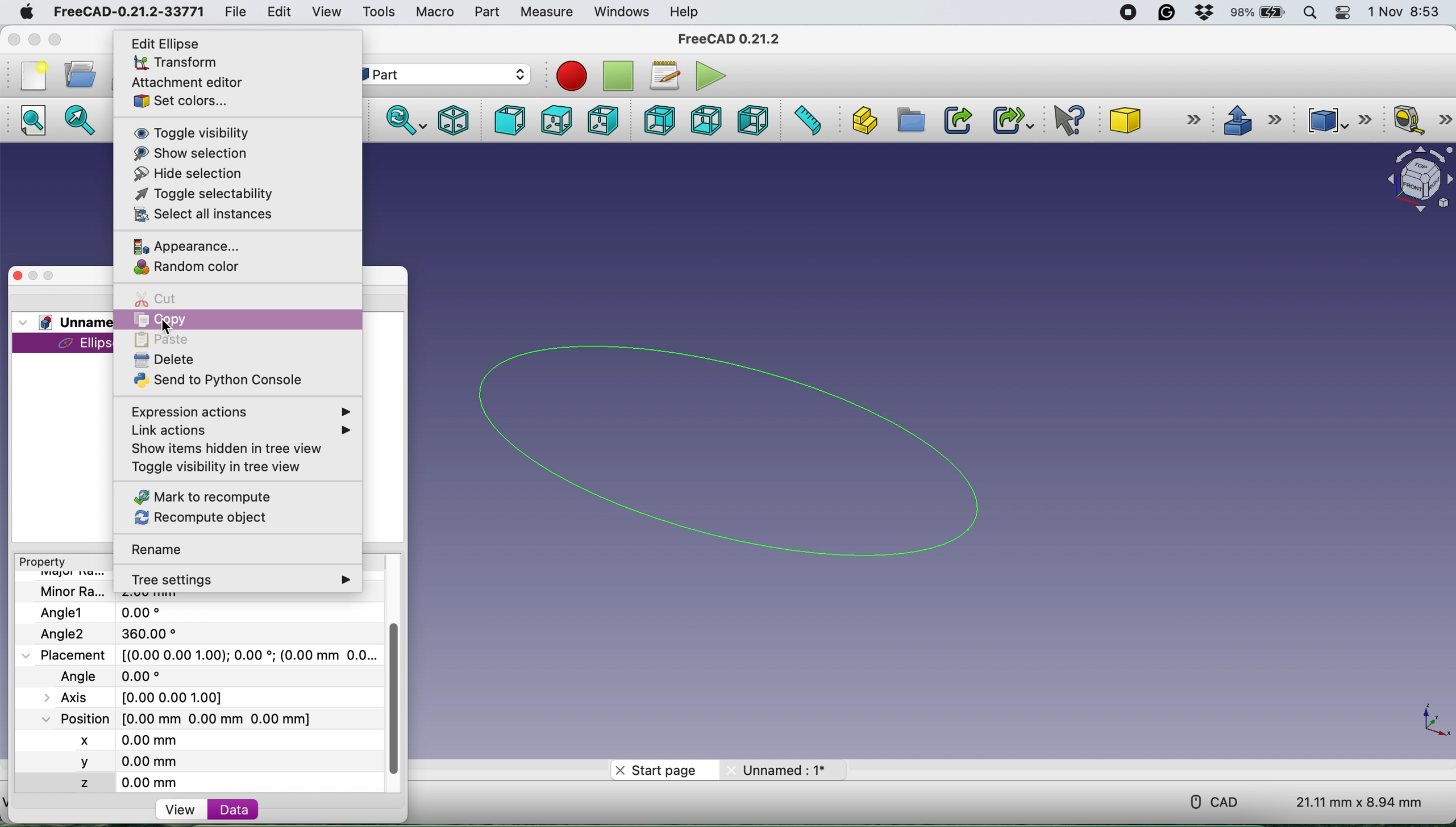 The image size is (1456, 827). I want to click on spotlight search, so click(1311, 14).